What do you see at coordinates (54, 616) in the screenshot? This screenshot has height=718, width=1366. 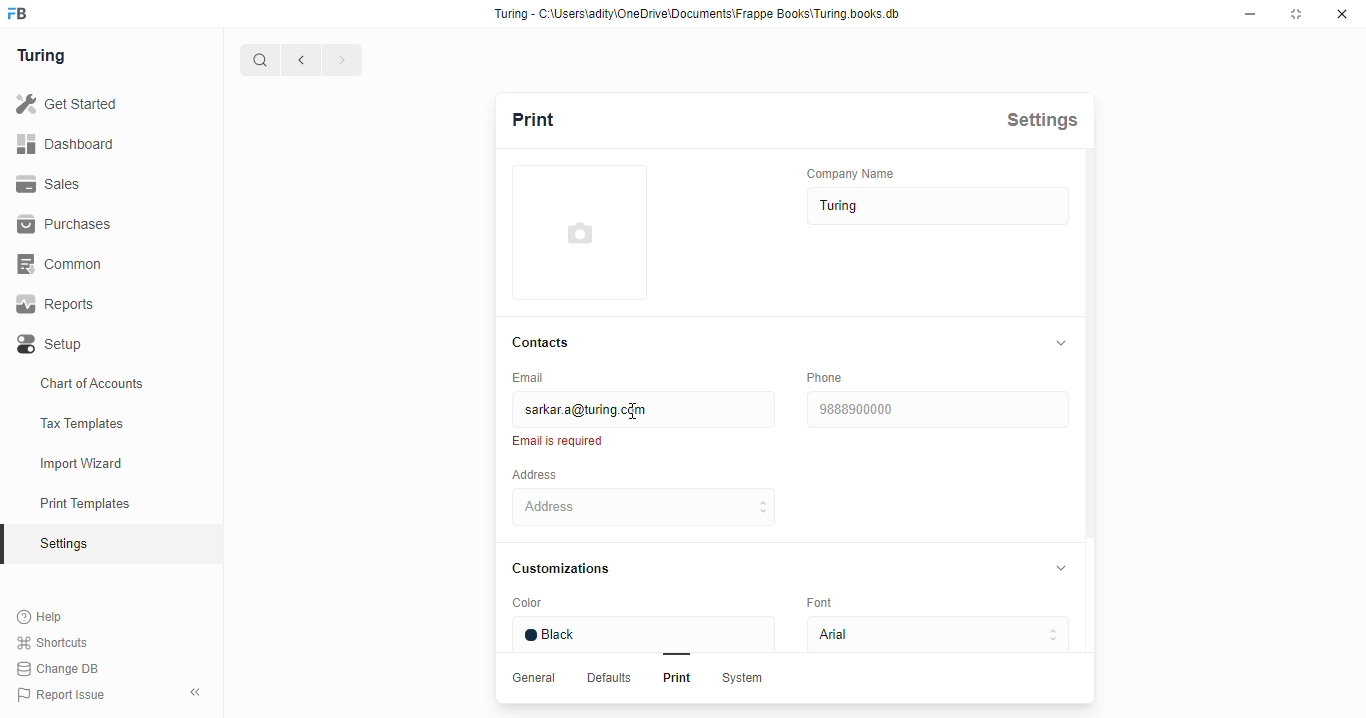 I see `Help` at bounding box center [54, 616].